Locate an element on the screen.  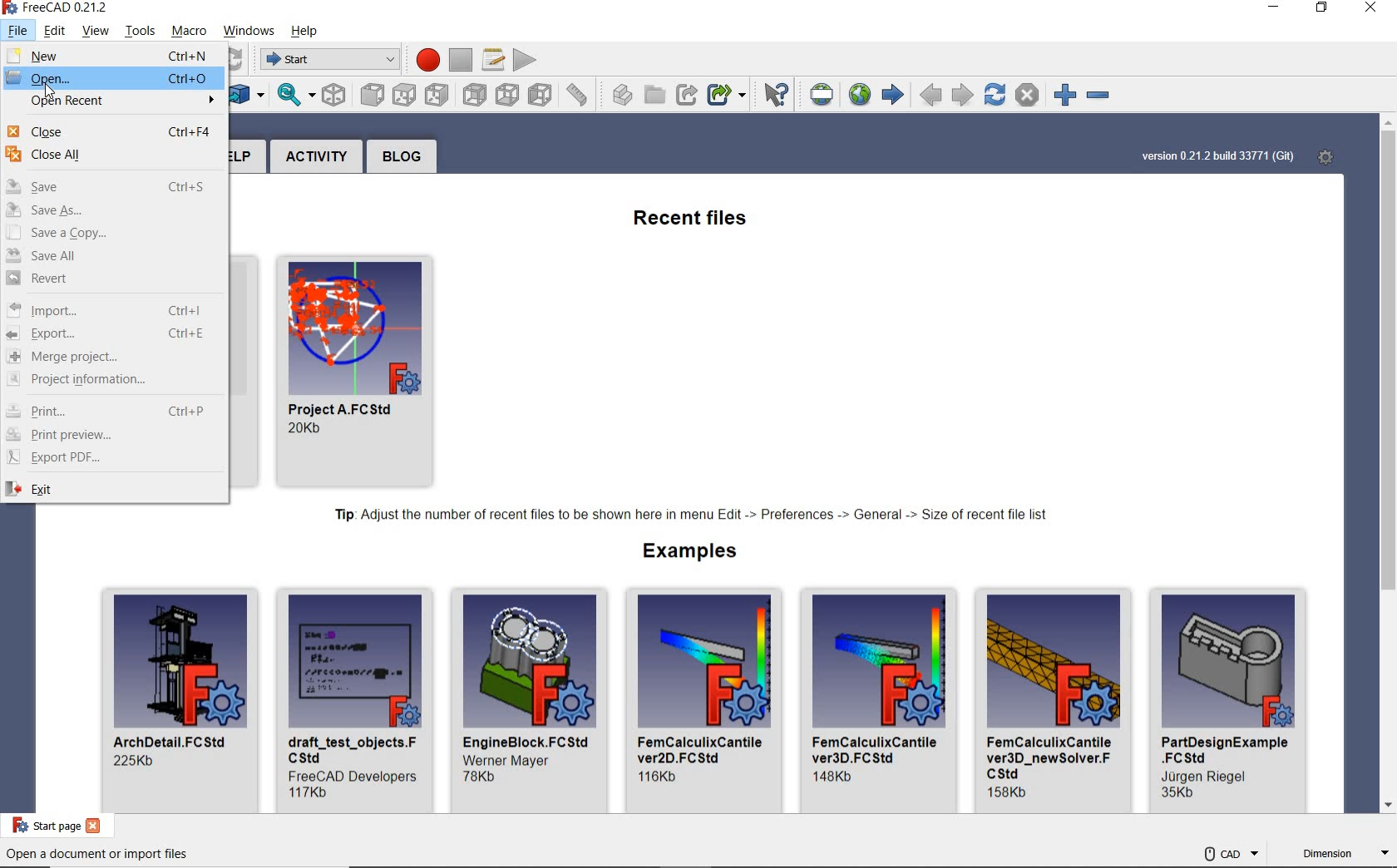
FILE is located at coordinates (18, 31).